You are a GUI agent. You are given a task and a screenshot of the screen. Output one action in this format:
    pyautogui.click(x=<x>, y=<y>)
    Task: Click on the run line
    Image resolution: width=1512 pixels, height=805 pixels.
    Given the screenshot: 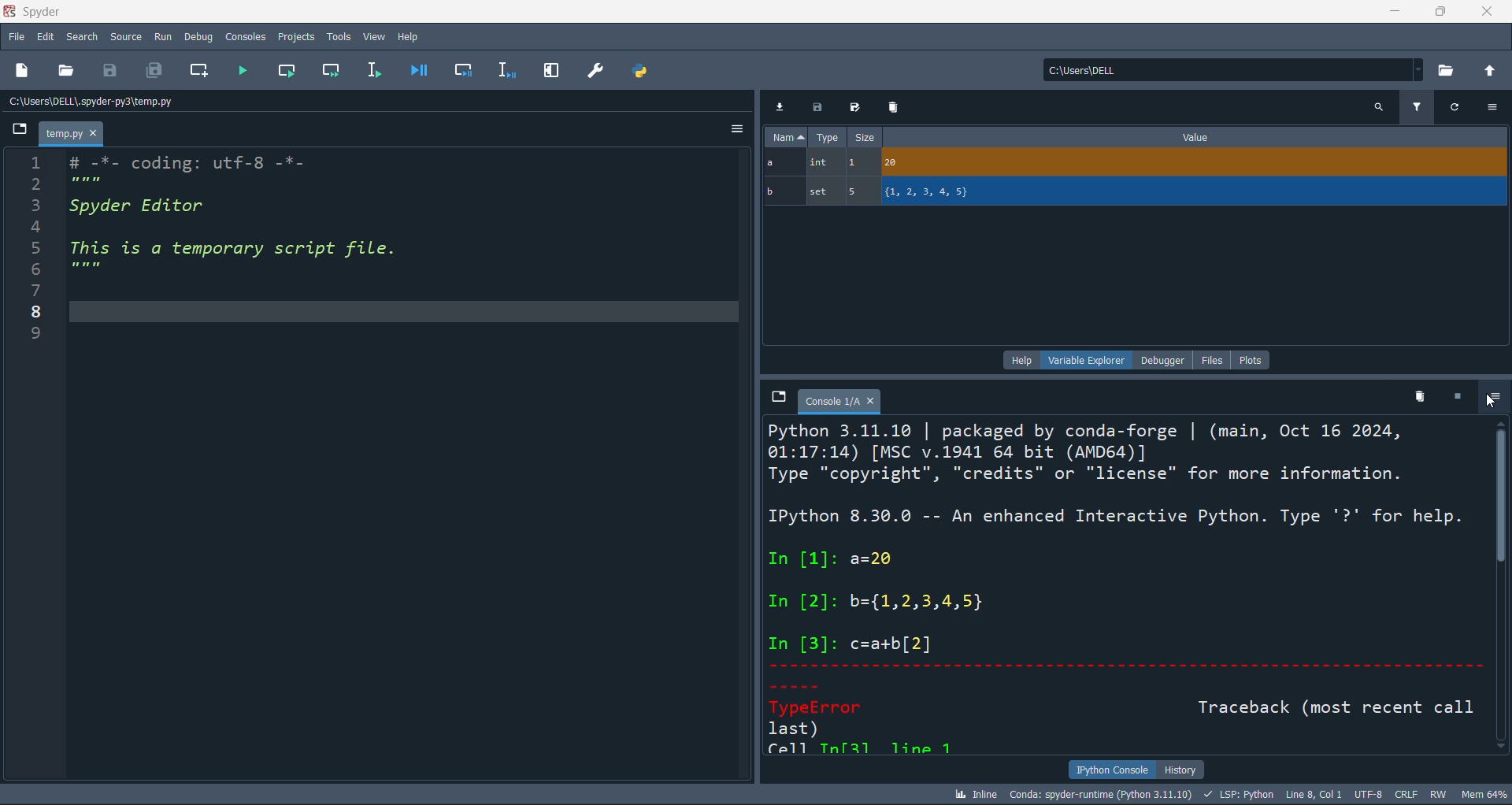 What is the action you would take?
    pyautogui.click(x=372, y=72)
    